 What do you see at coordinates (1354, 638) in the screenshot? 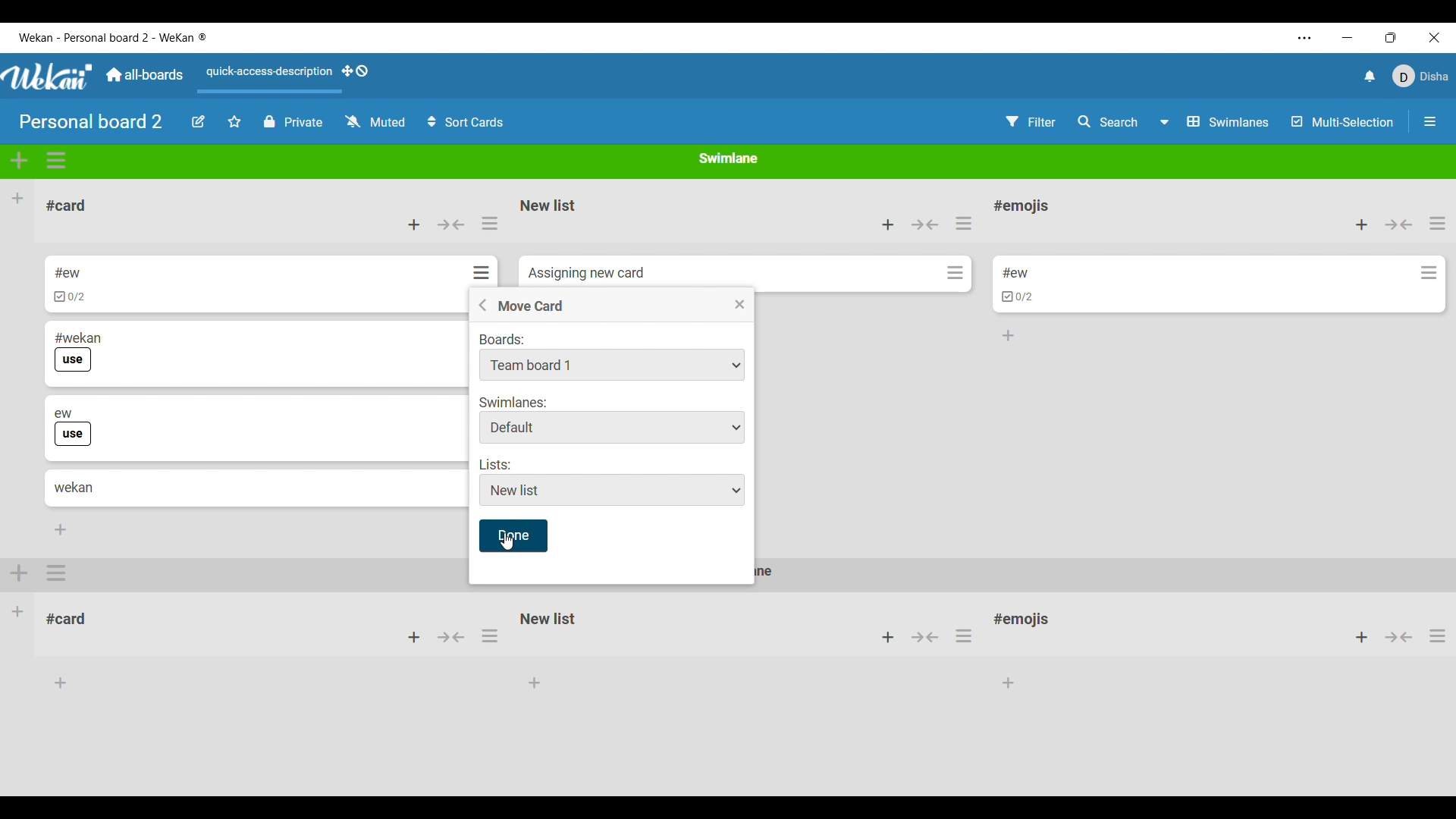
I see `add` at bounding box center [1354, 638].